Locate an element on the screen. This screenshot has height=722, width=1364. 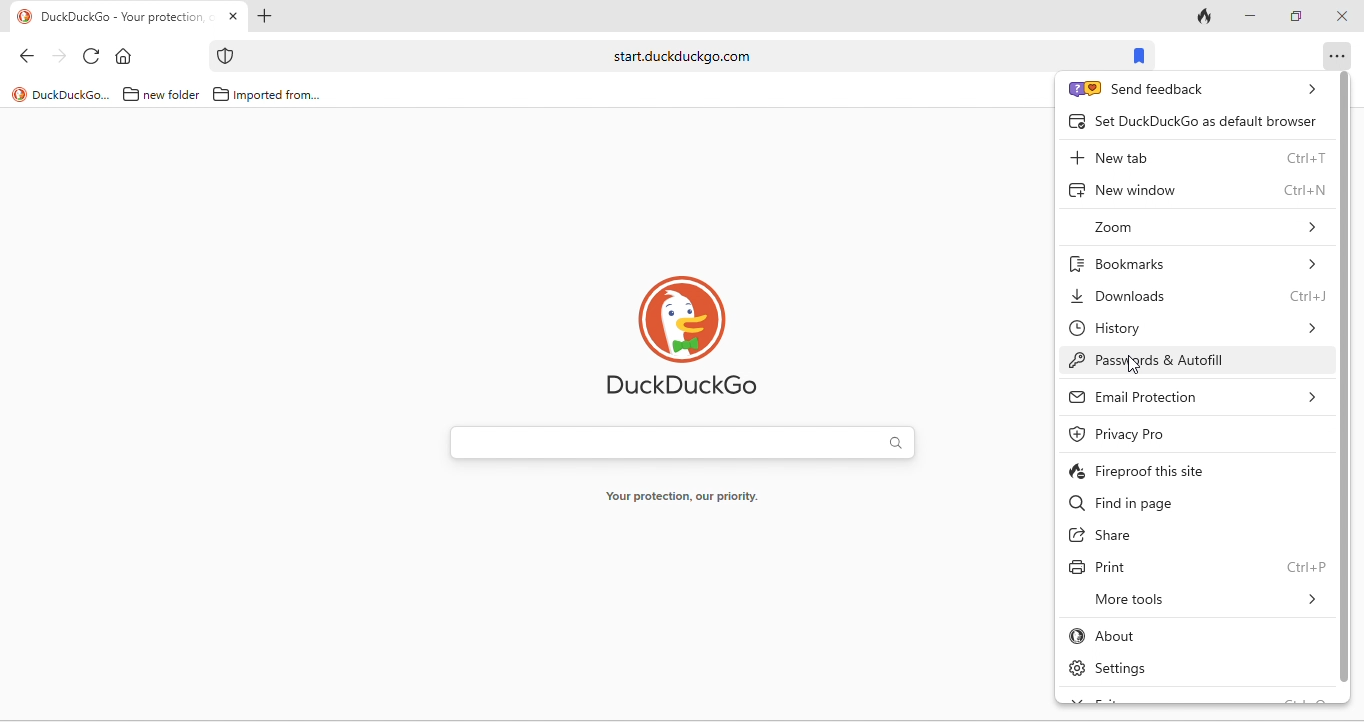
zoom is located at coordinates (1202, 226).